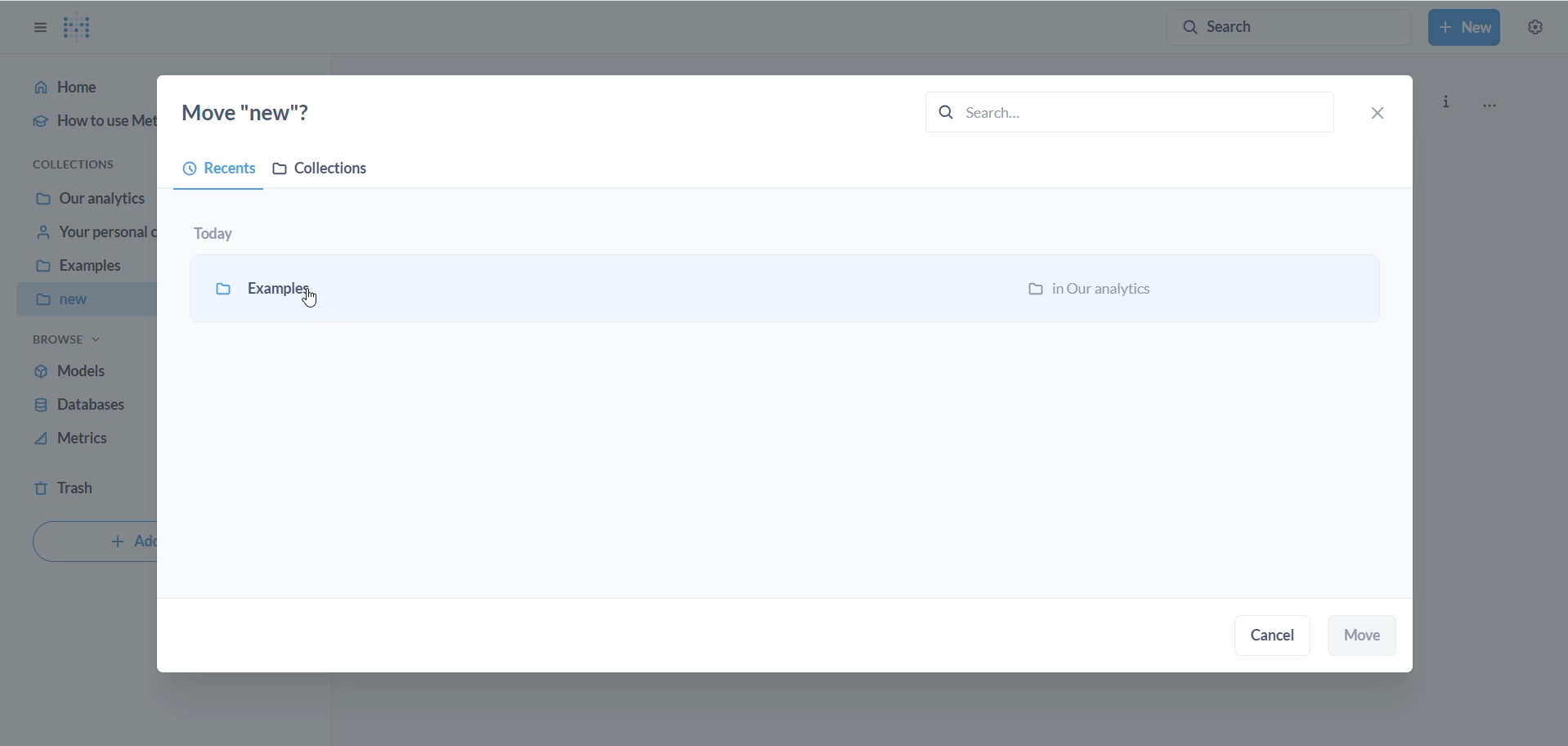  Describe the element at coordinates (34, 28) in the screenshot. I see `close sidebar` at that location.